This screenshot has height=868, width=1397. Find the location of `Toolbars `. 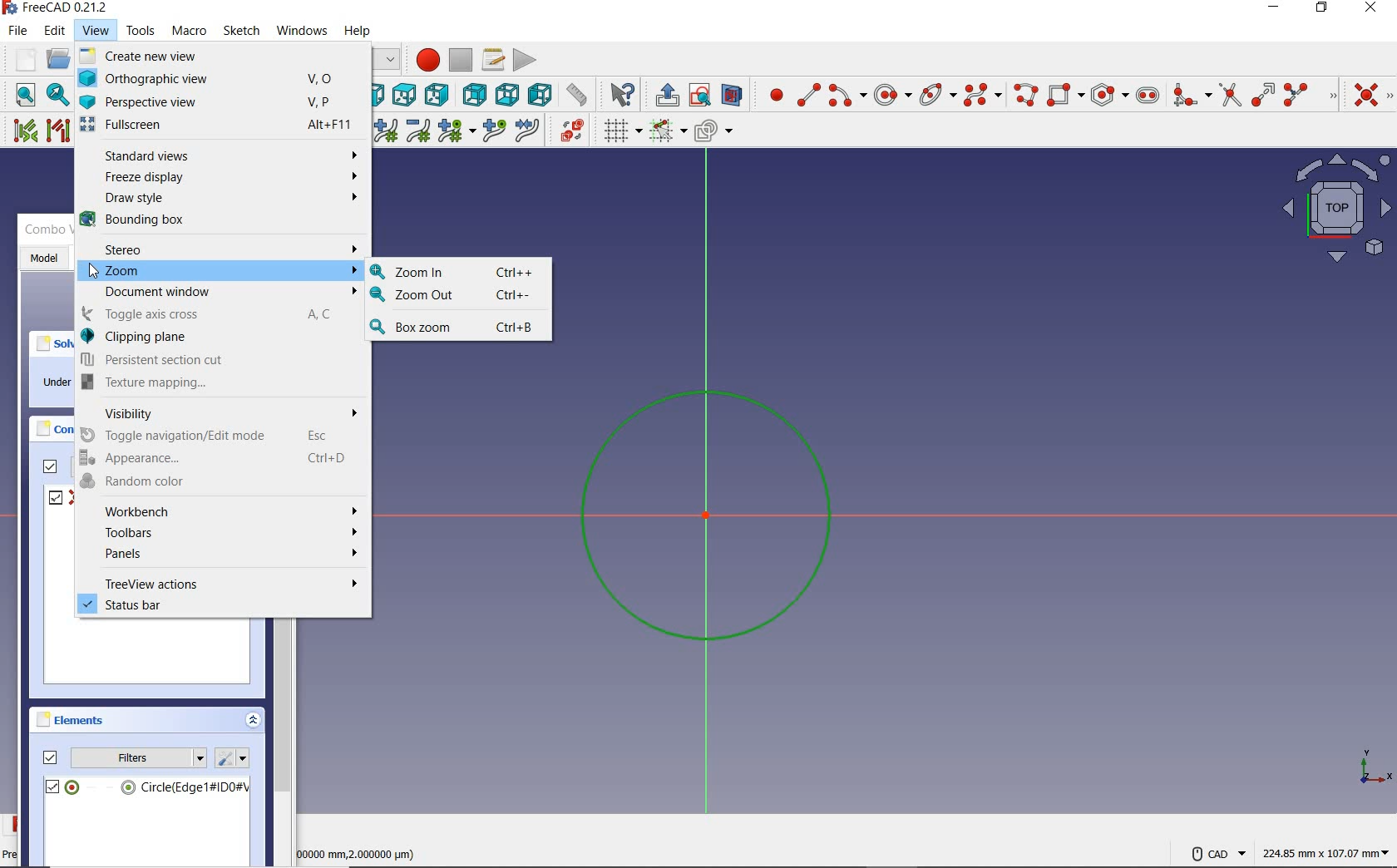

Toolbars  is located at coordinates (223, 533).